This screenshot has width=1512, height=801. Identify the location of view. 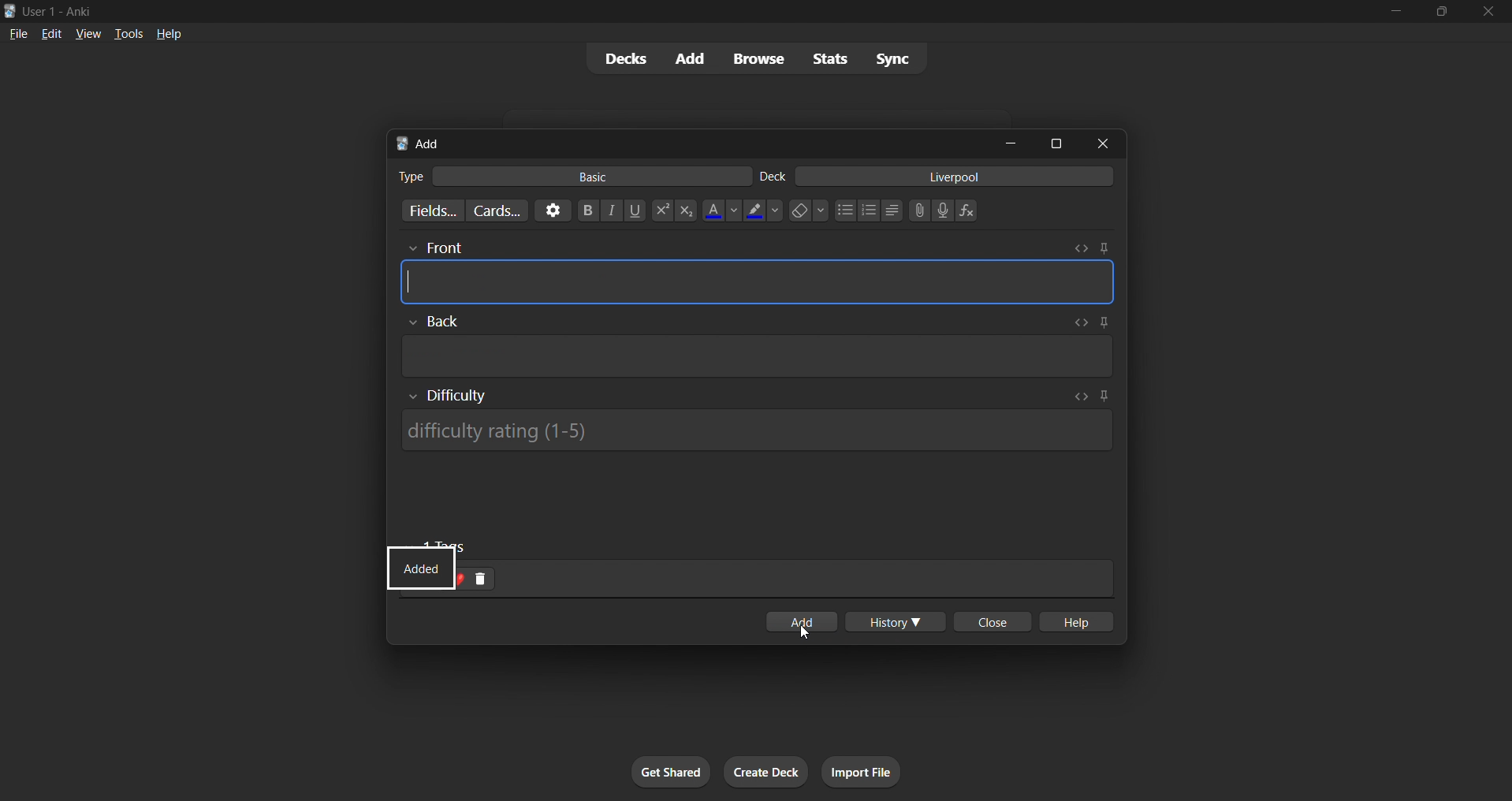
(87, 33).